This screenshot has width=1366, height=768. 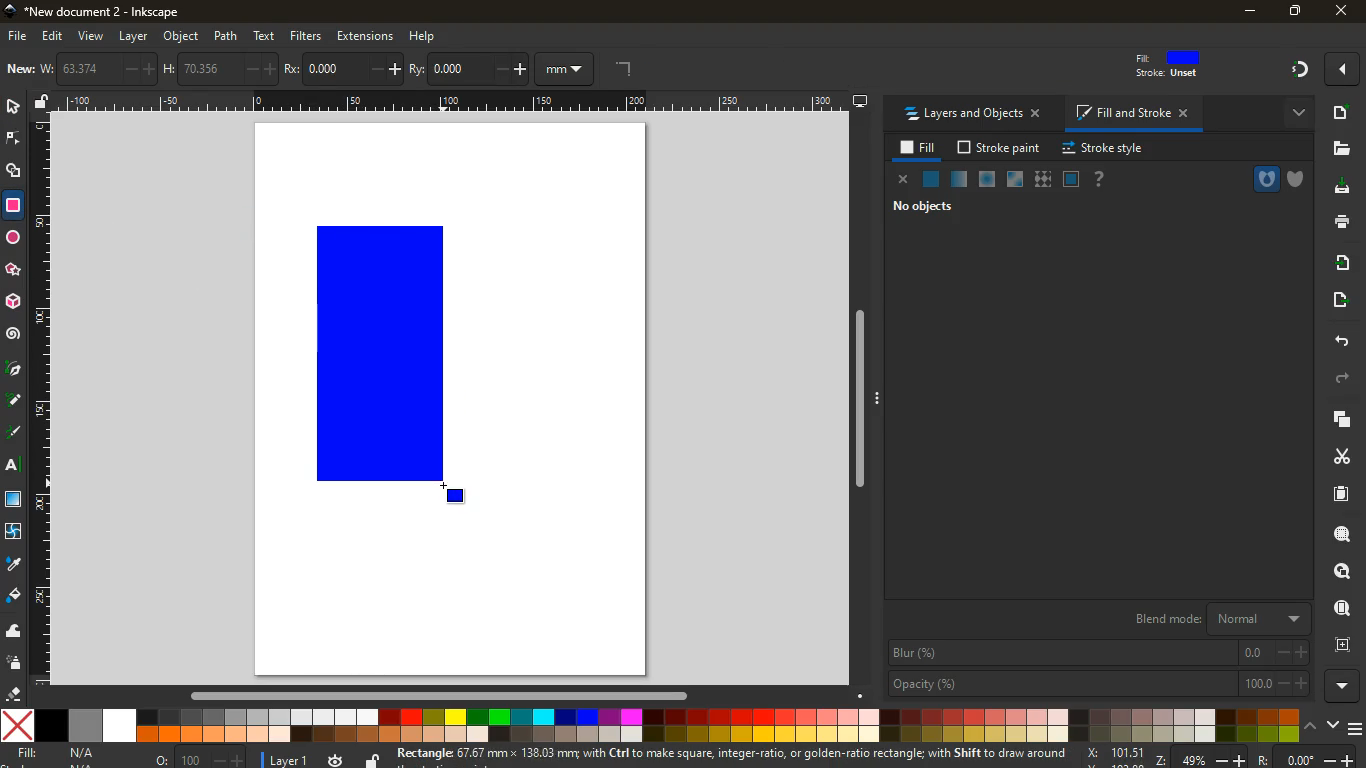 I want to click on help, so click(x=424, y=37).